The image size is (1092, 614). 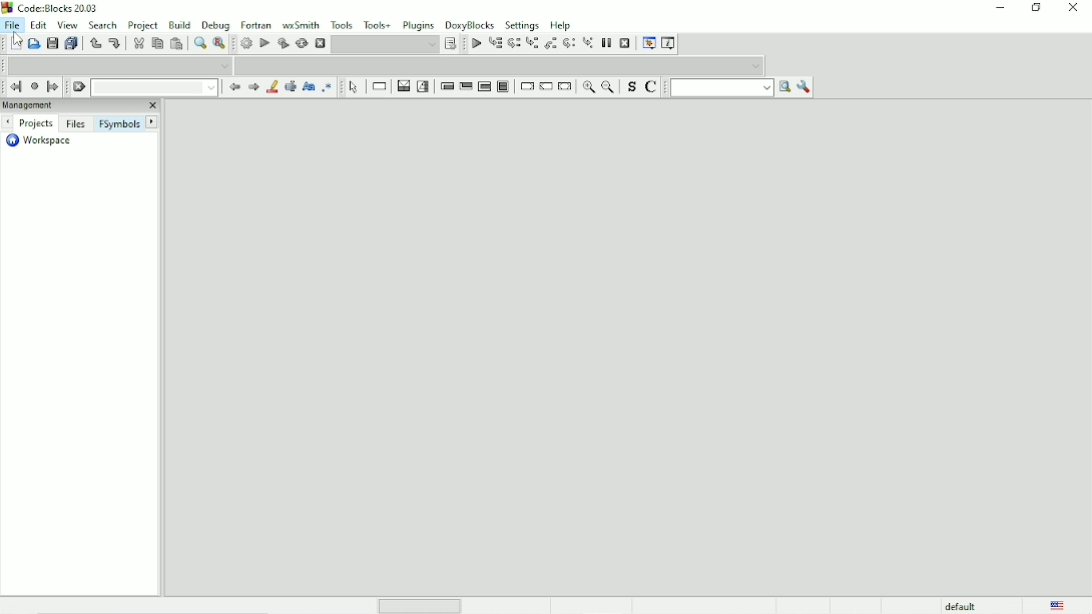 What do you see at coordinates (484, 87) in the screenshot?
I see `Counting loop` at bounding box center [484, 87].